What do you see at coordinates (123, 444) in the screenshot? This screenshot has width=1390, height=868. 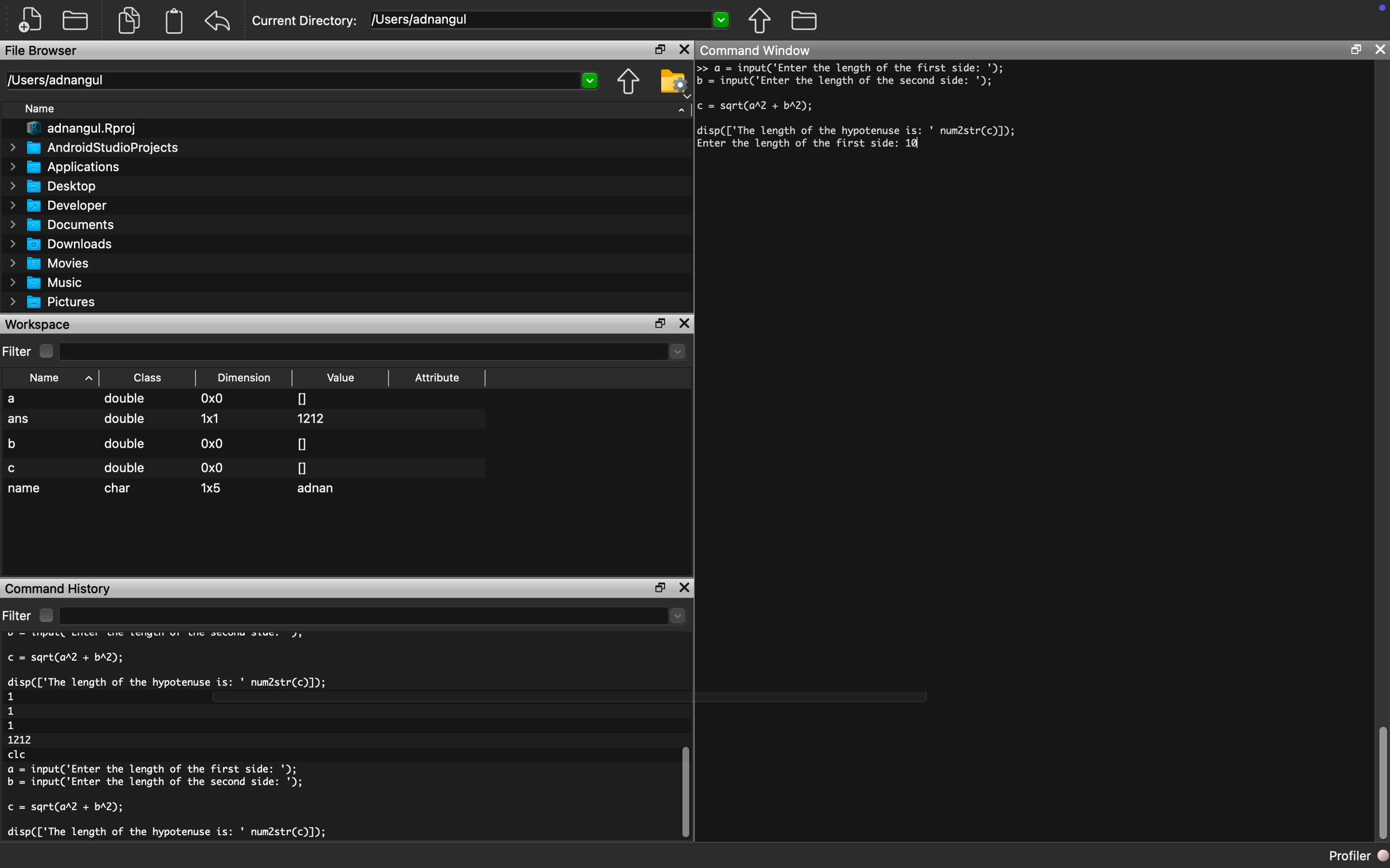 I see `double` at bounding box center [123, 444].